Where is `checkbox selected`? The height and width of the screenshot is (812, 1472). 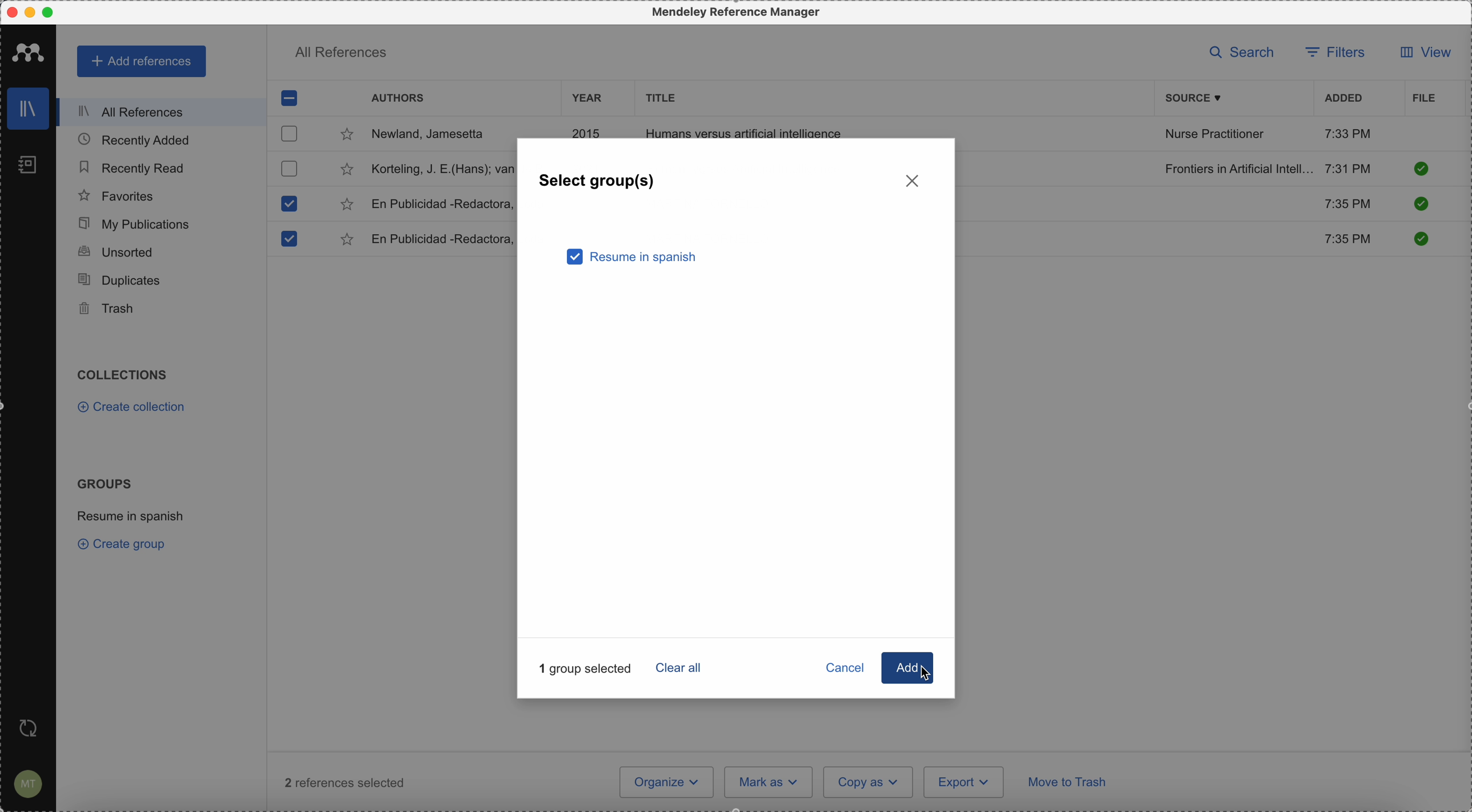 checkbox selected is located at coordinates (290, 97).